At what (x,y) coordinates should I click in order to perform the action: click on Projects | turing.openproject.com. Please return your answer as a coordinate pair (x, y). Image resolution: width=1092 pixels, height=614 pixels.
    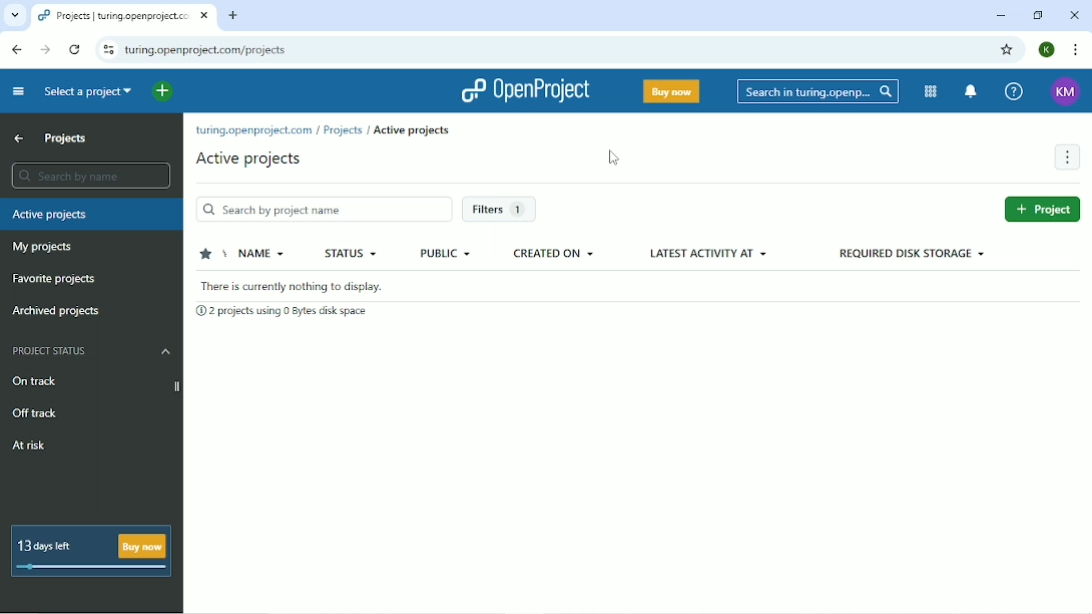
    Looking at the image, I should click on (122, 16).